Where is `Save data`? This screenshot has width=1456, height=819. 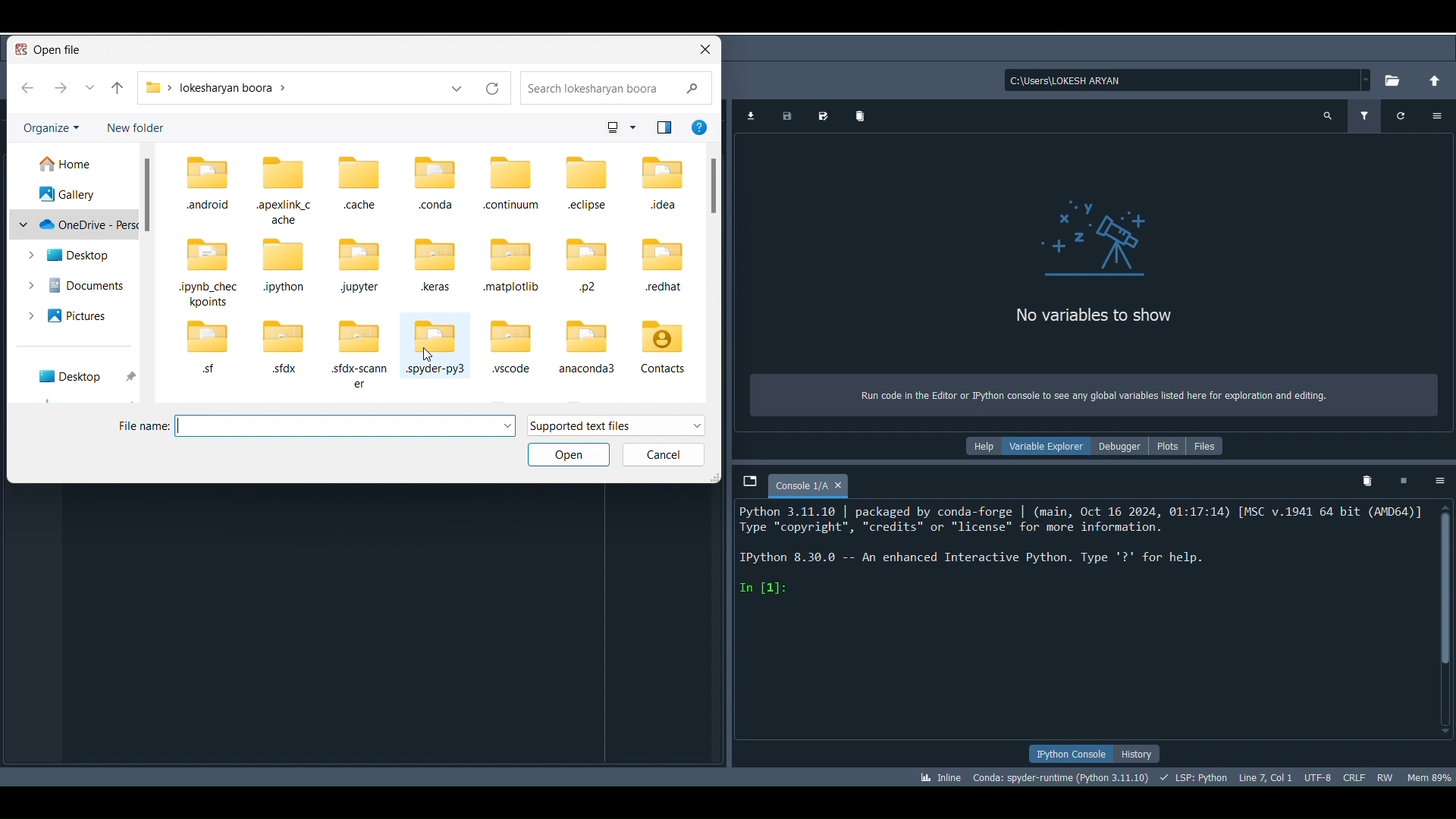 Save data is located at coordinates (786, 115).